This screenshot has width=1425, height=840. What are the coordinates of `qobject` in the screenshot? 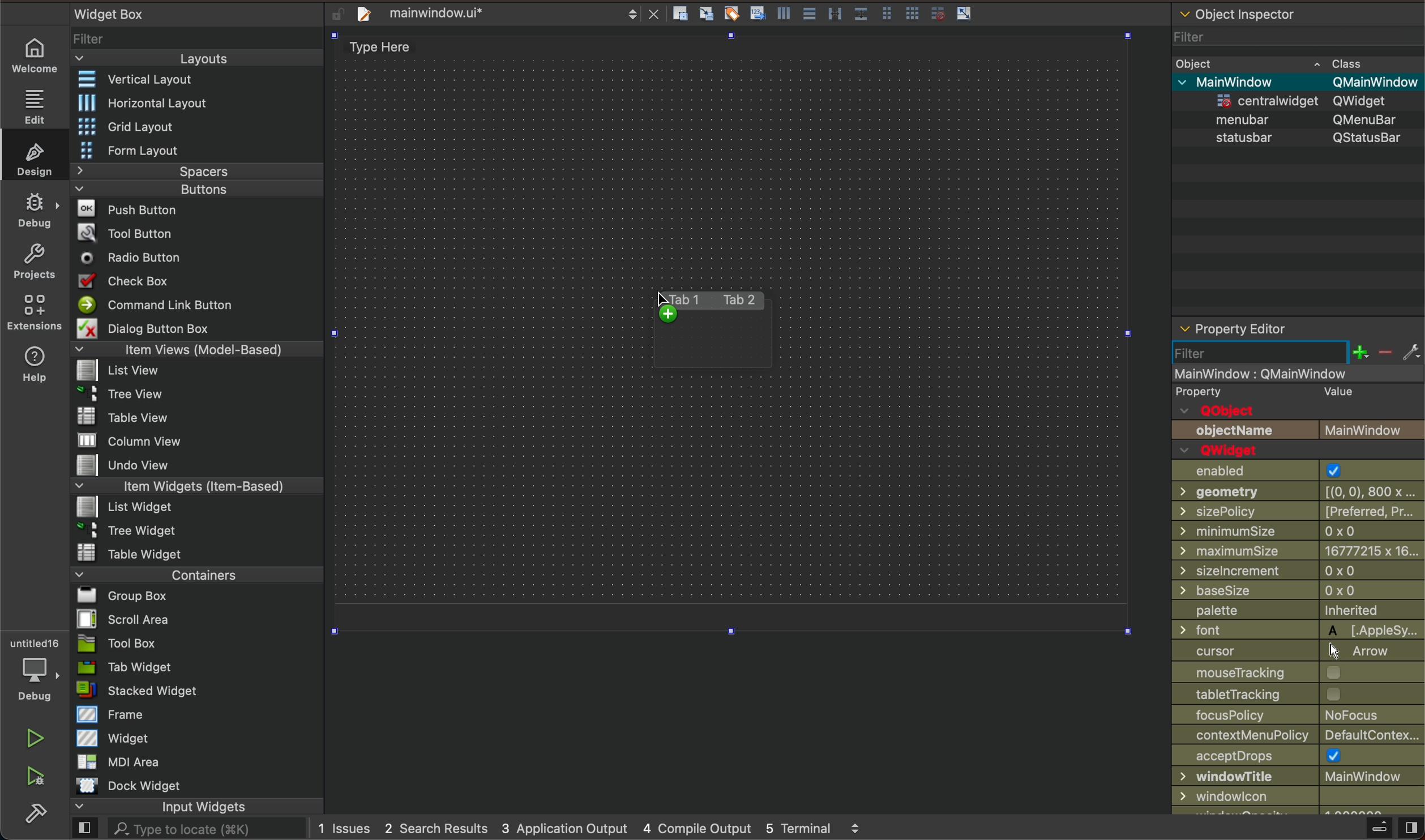 It's located at (1295, 400).